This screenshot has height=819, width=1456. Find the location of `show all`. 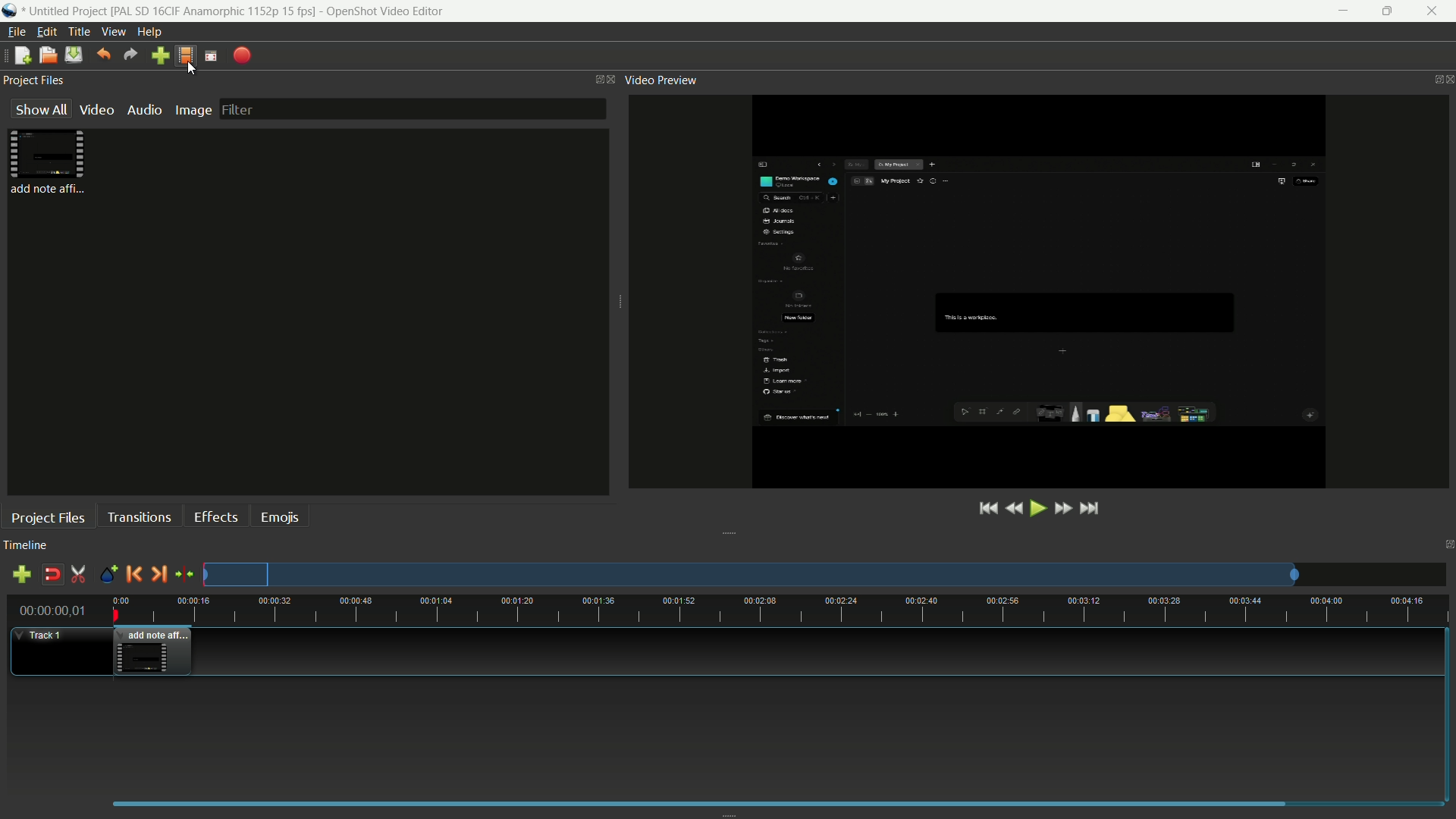

show all is located at coordinates (38, 109).